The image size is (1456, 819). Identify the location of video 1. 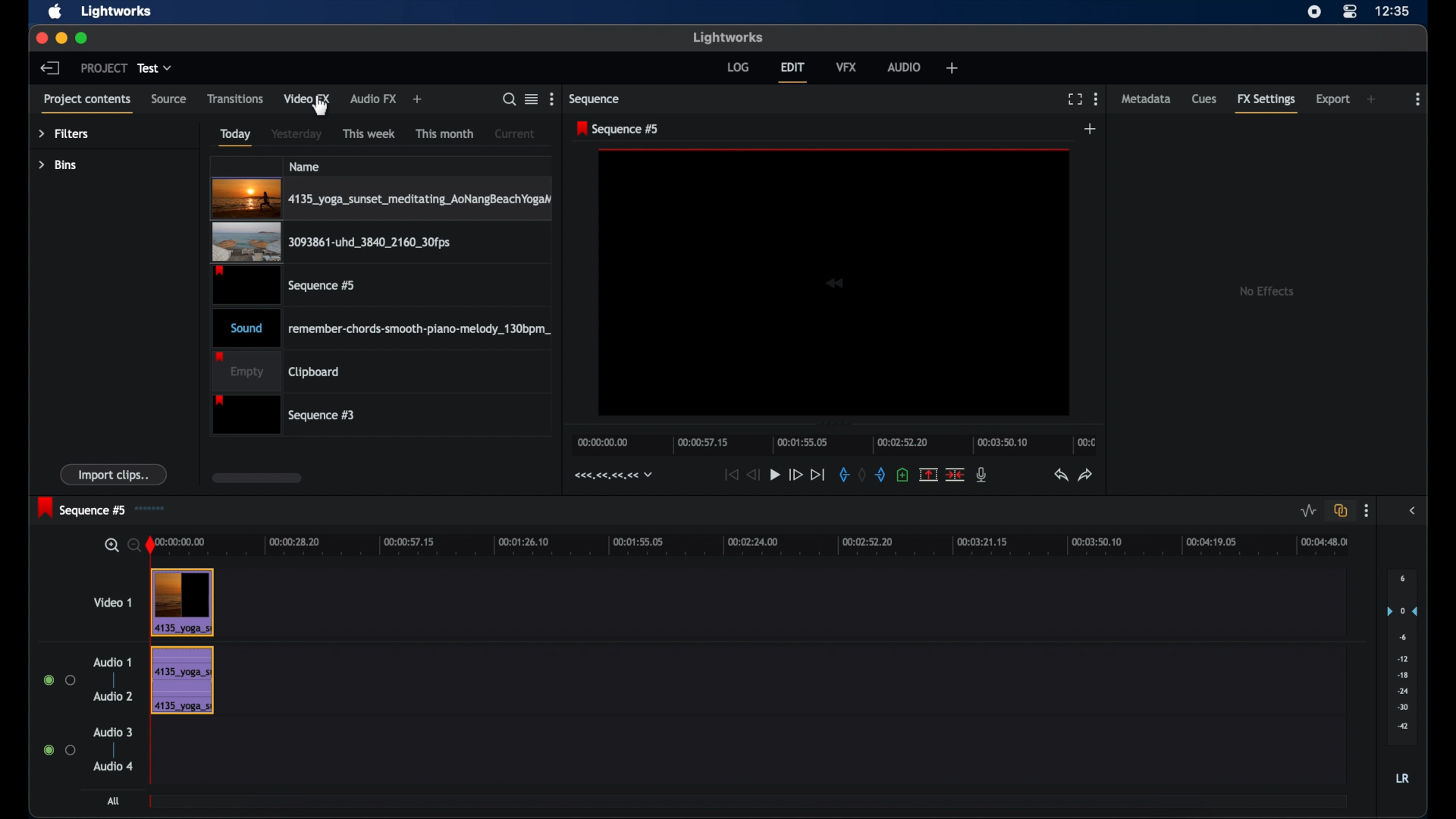
(114, 602).